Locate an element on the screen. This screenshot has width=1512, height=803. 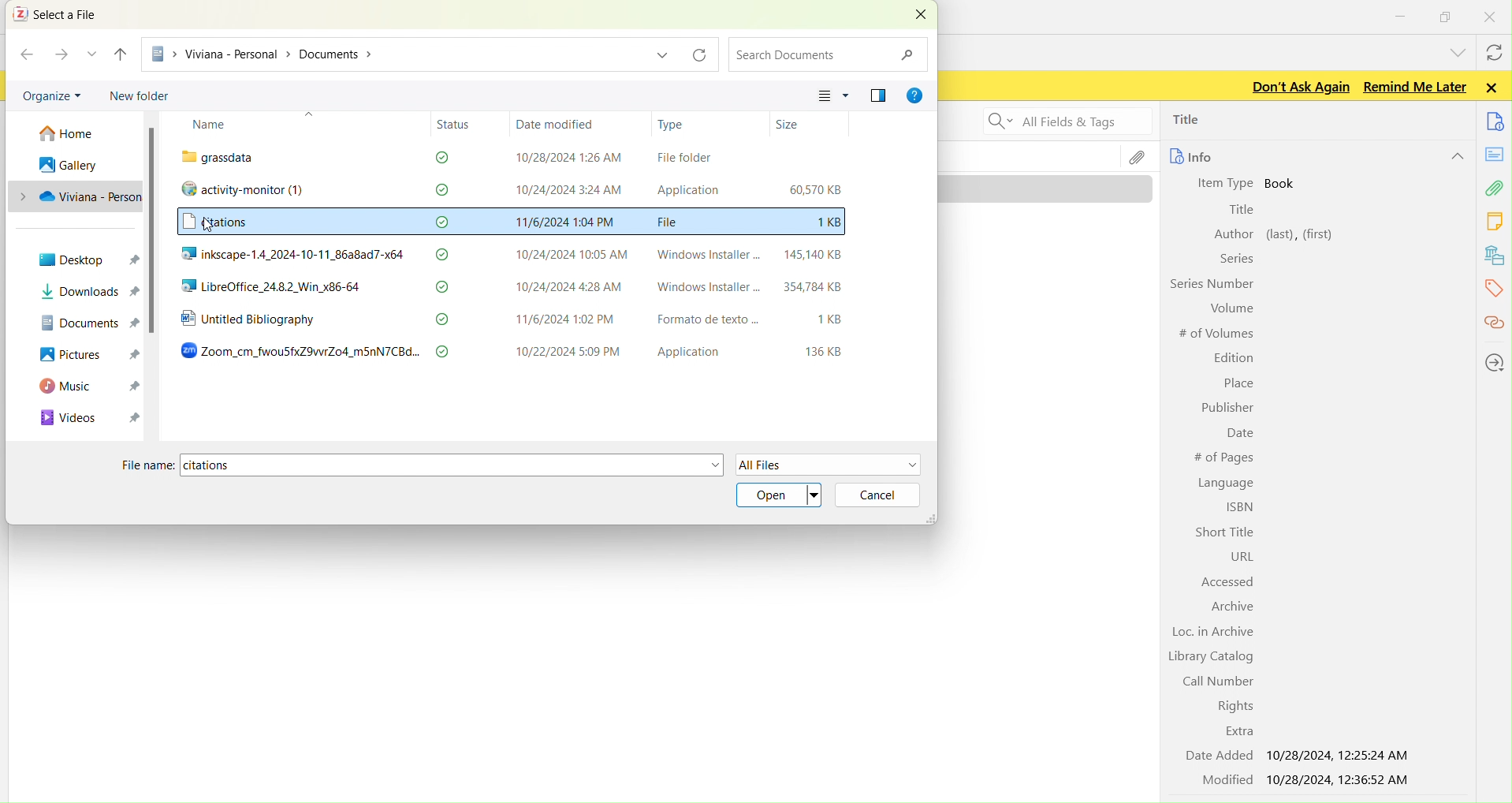
Remind me later is located at coordinates (1415, 86).